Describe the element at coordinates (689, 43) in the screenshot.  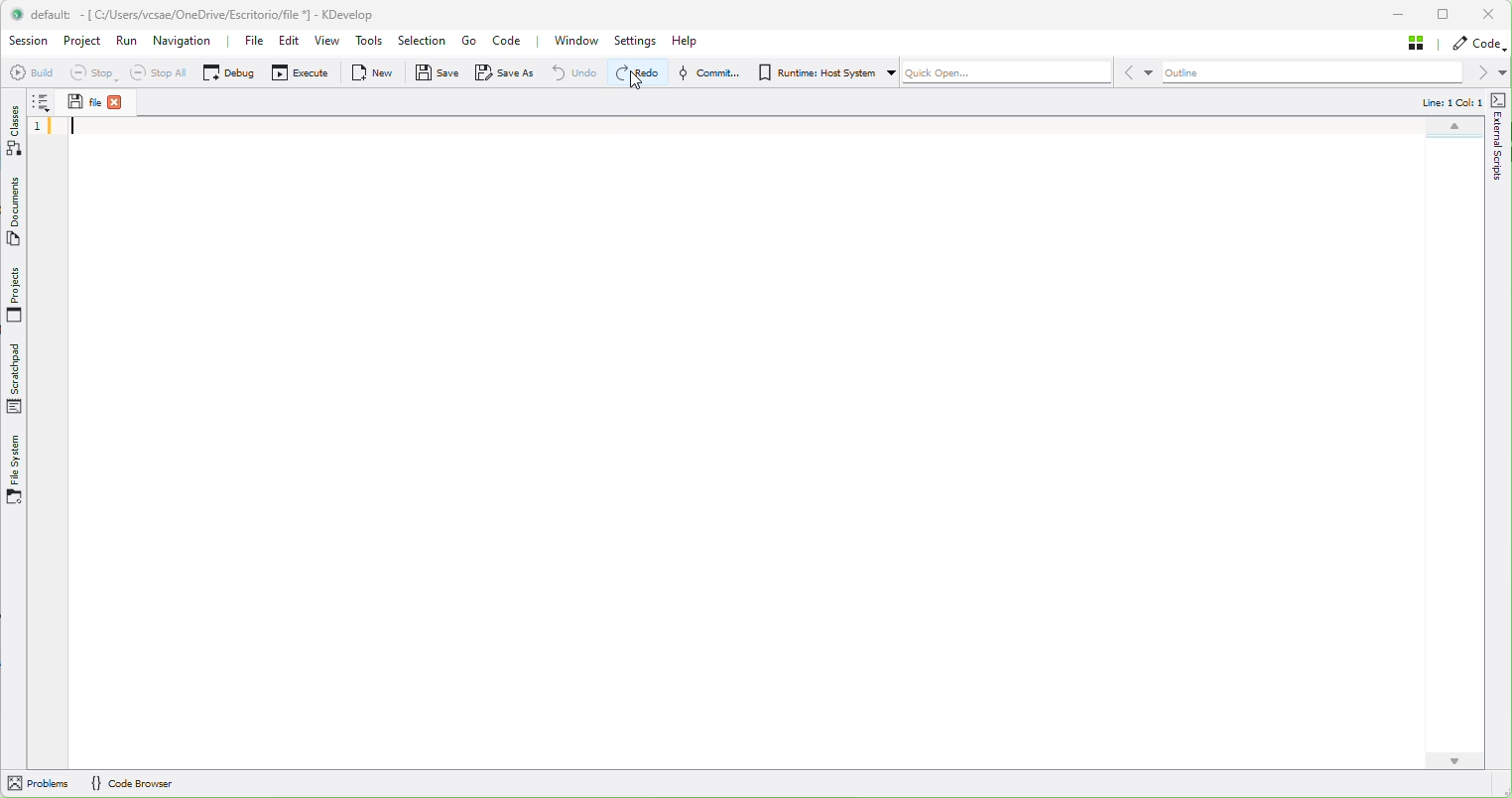
I see `Help` at that location.